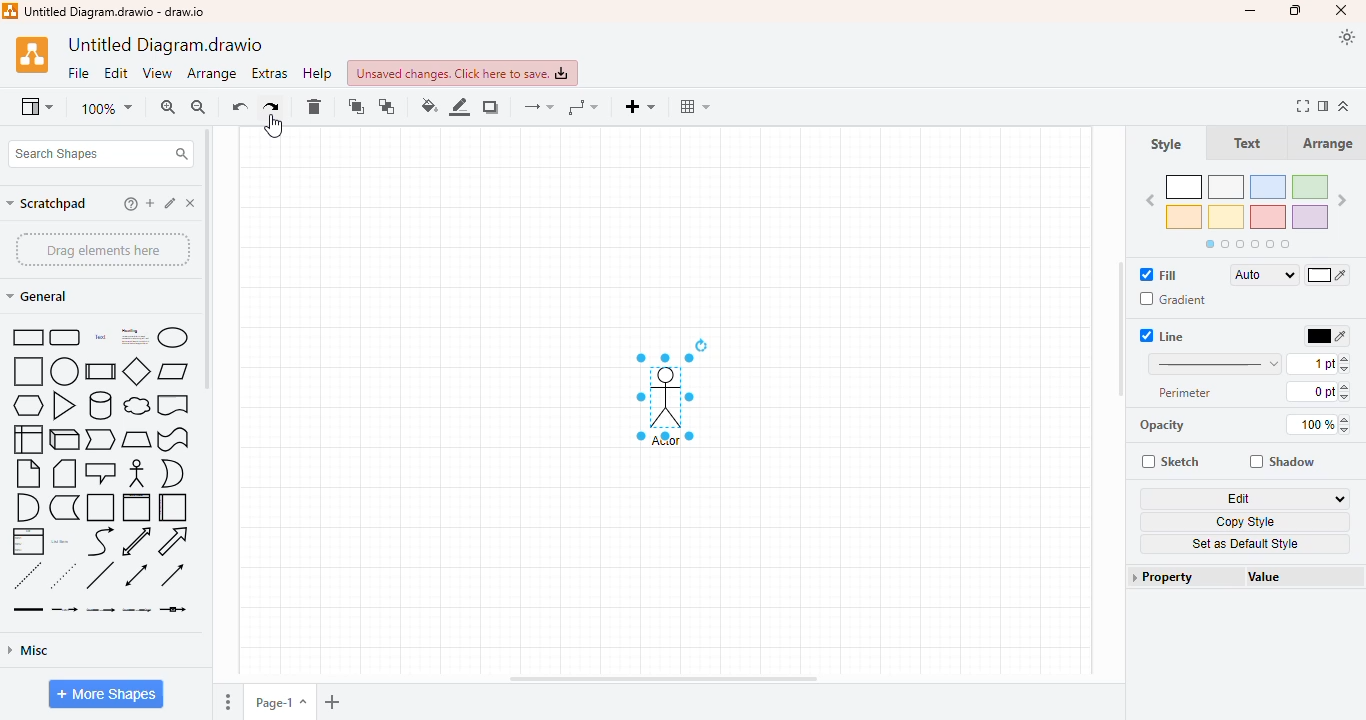  What do you see at coordinates (158, 74) in the screenshot?
I see `view` at bounding box center [158, 74].